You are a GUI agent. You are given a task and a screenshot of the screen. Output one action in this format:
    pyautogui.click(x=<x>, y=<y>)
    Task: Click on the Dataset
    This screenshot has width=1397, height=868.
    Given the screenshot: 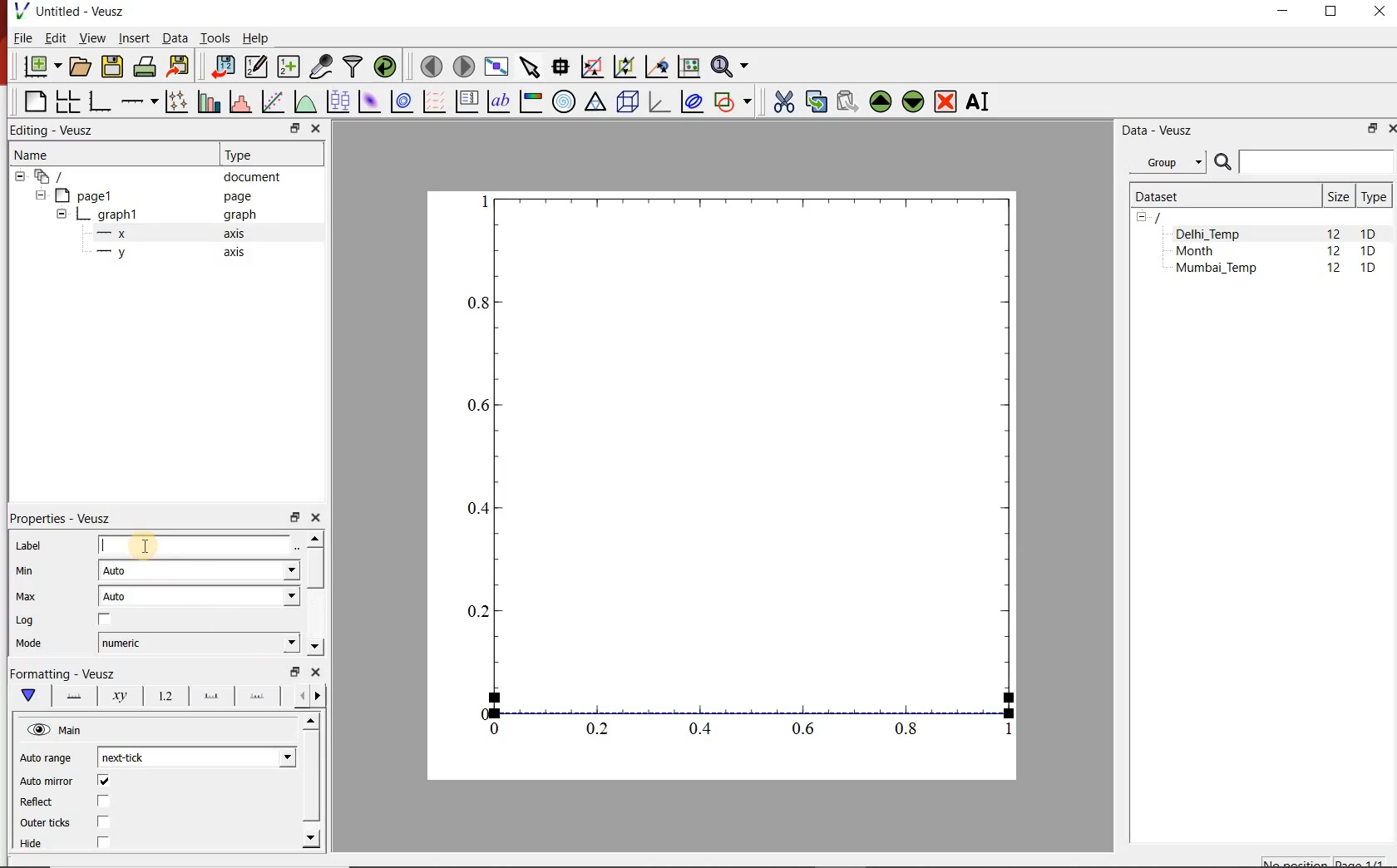 What is the action you would take?
    pyautogui.click(x=1221, y=196)
    